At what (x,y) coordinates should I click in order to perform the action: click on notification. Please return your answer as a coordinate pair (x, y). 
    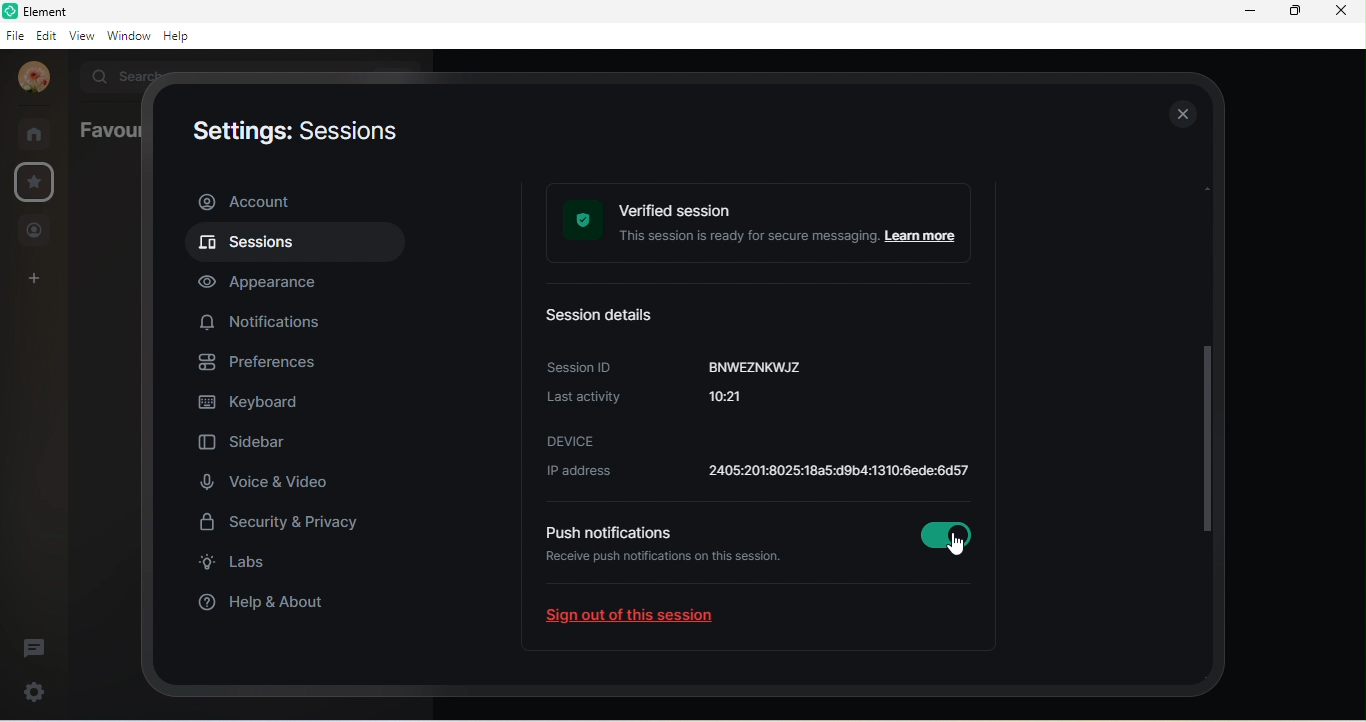
    Looking at the image, I should click on (265, 320).